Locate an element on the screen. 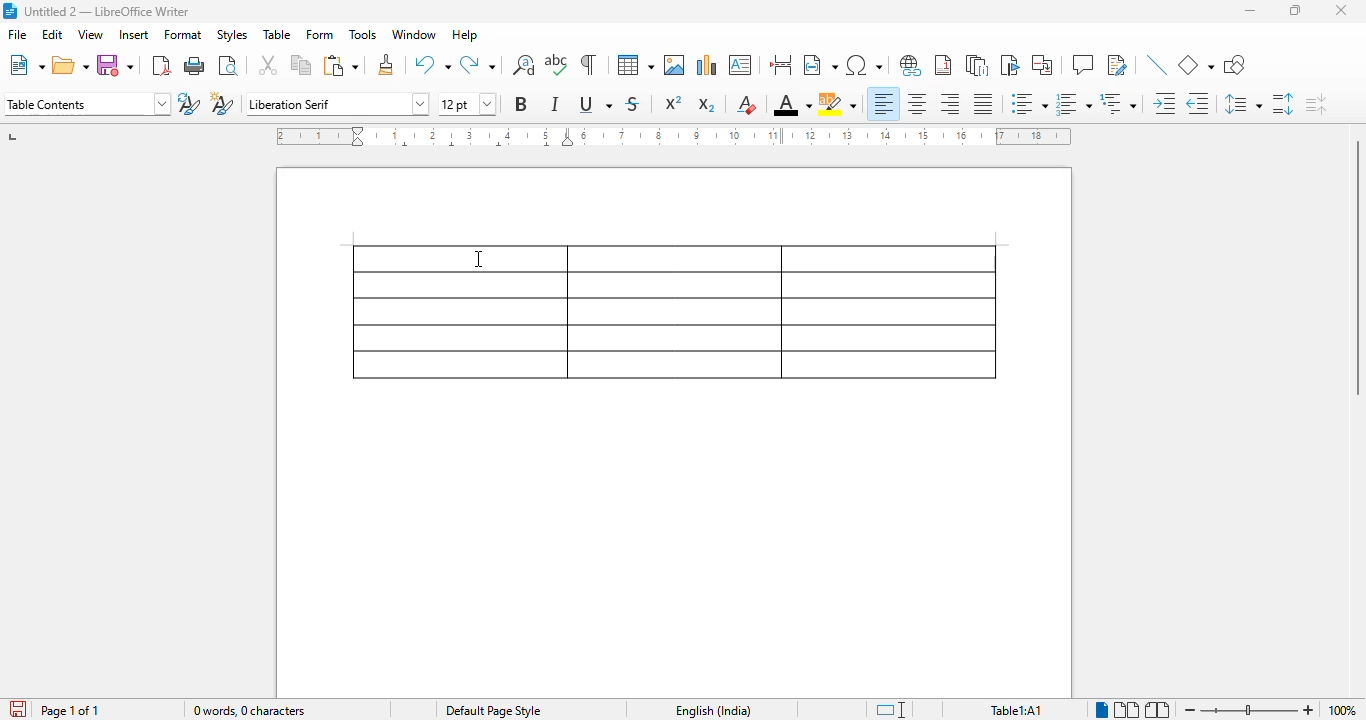 This screenshot has width=1366, height=720. close is located at coordinates (1342, 11).